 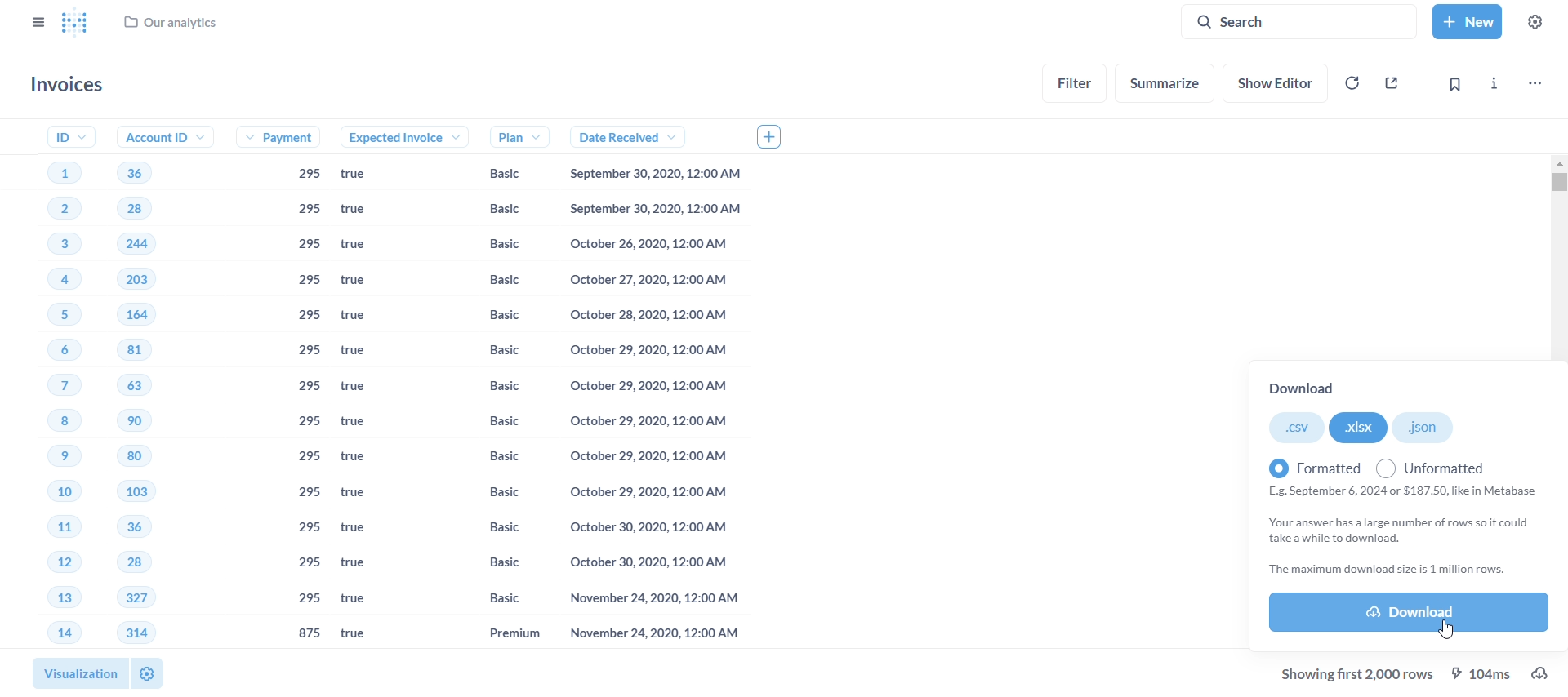 What do you see at coordinates (493, 457) in the screenshot?
I see `Basic` at bounding box center [493, 457].